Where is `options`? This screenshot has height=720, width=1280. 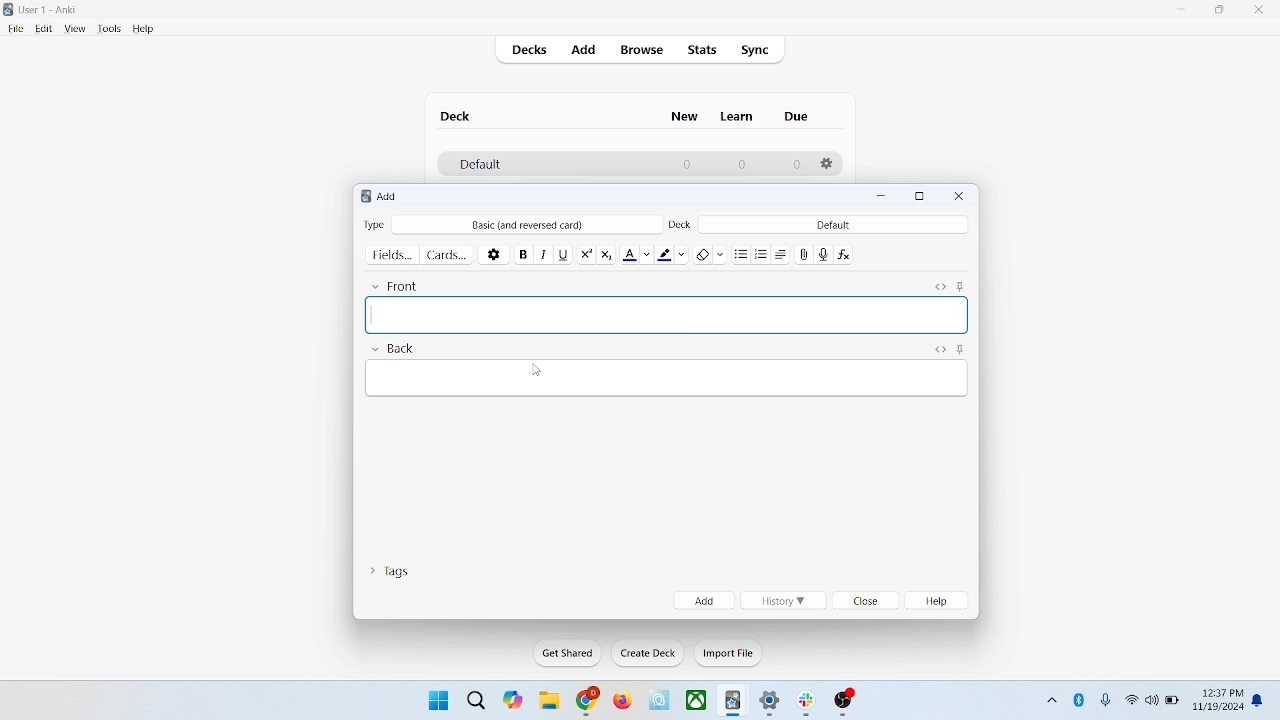
options is located at coordinates (828, 164).